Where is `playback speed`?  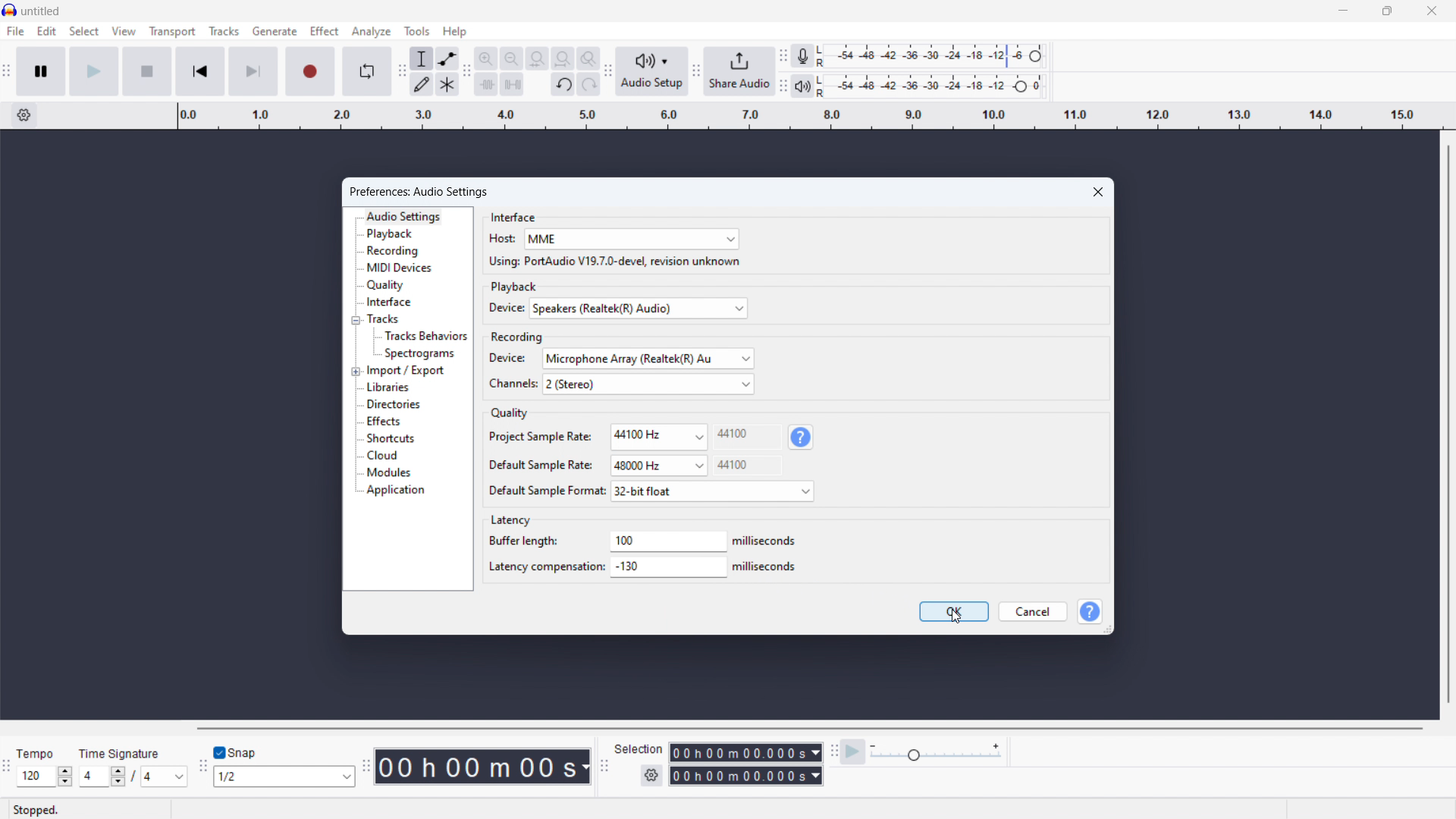
playback speed is located at coordinates (936, 752).